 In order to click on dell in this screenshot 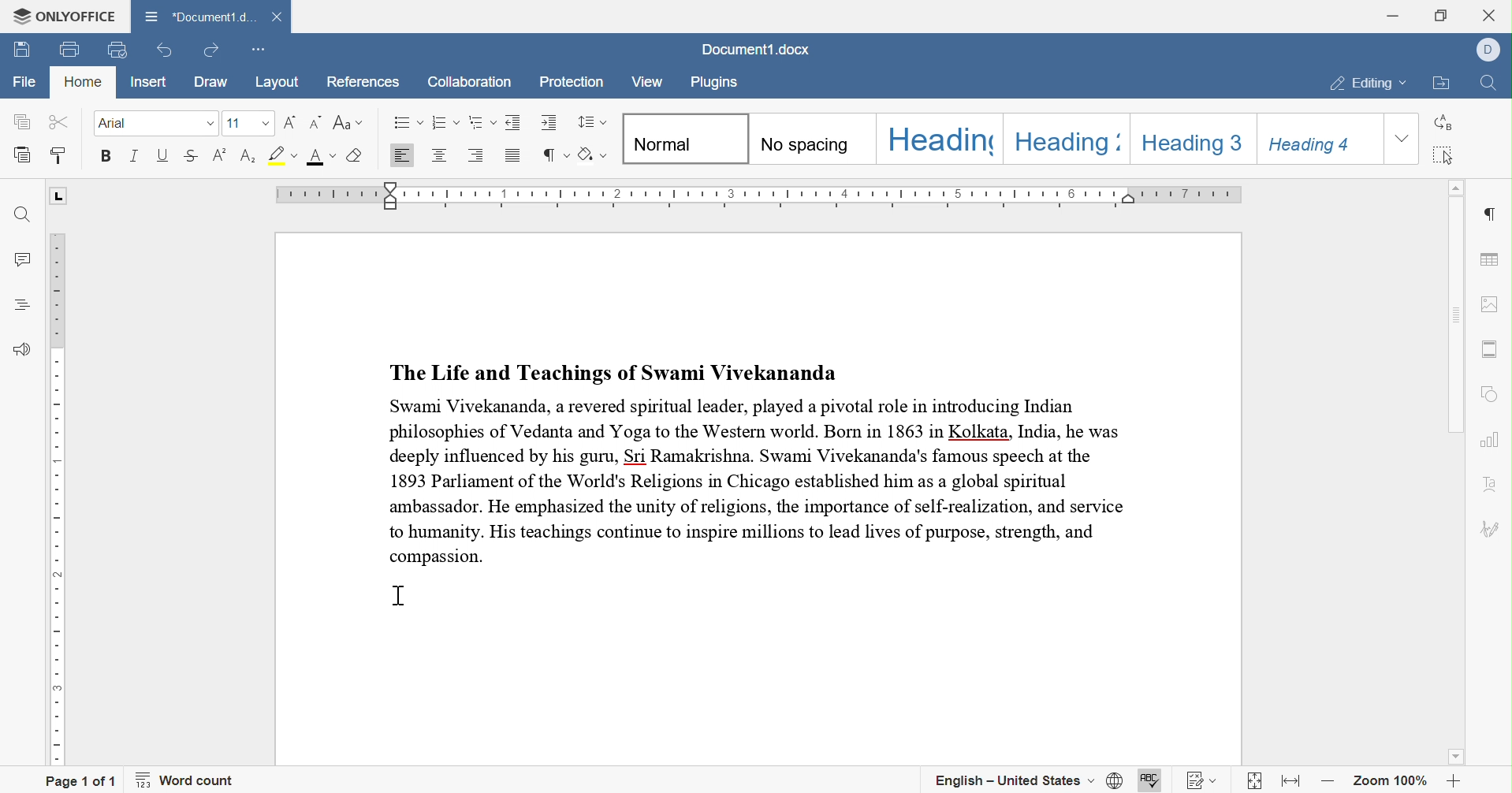, I will do `click(1491, 47)`.